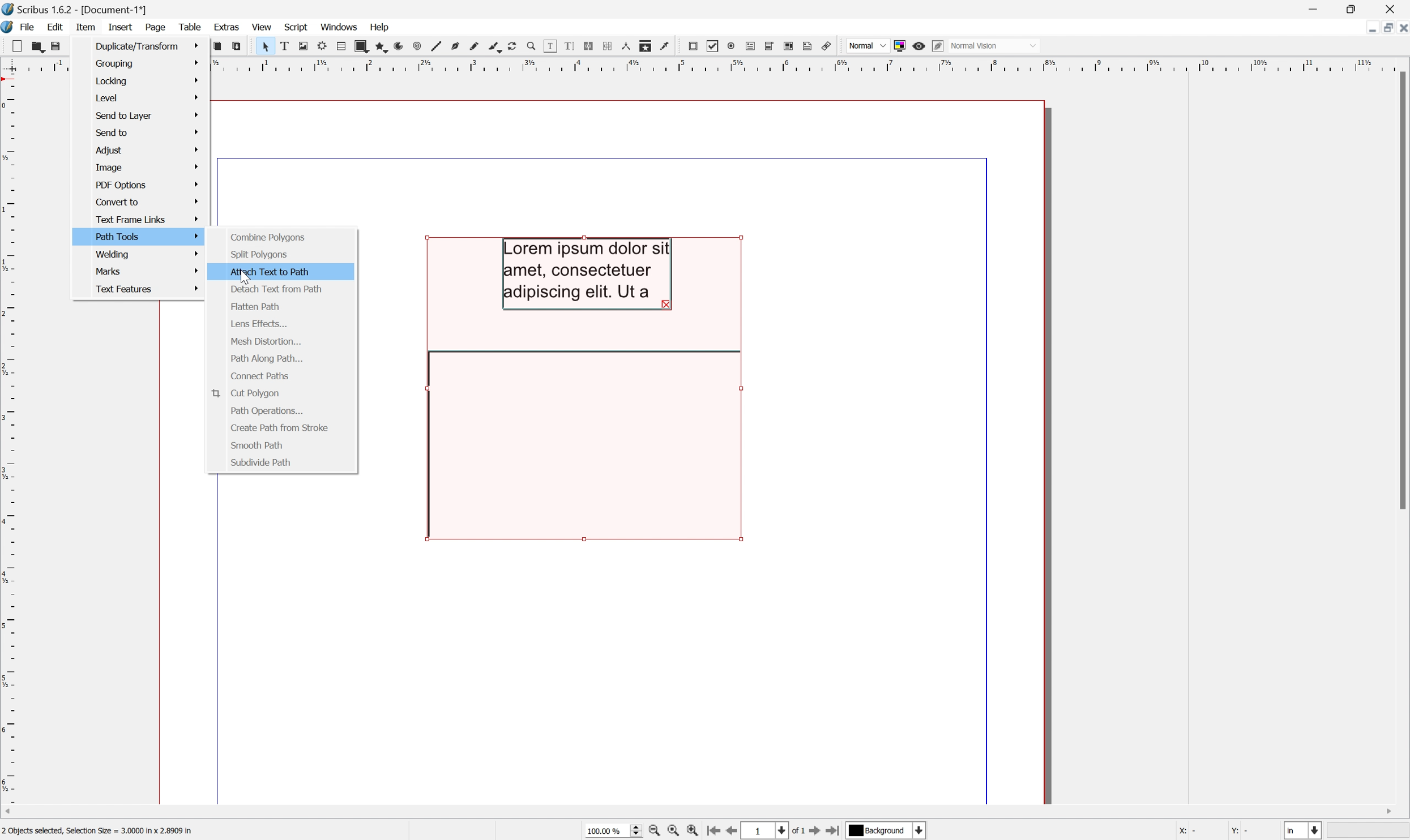 The width and height of the screenshot is (1410, 840). What do you see at coordinates (866, 44) in the screenshot?
I see `Normal` at bounding box center [866, 44].